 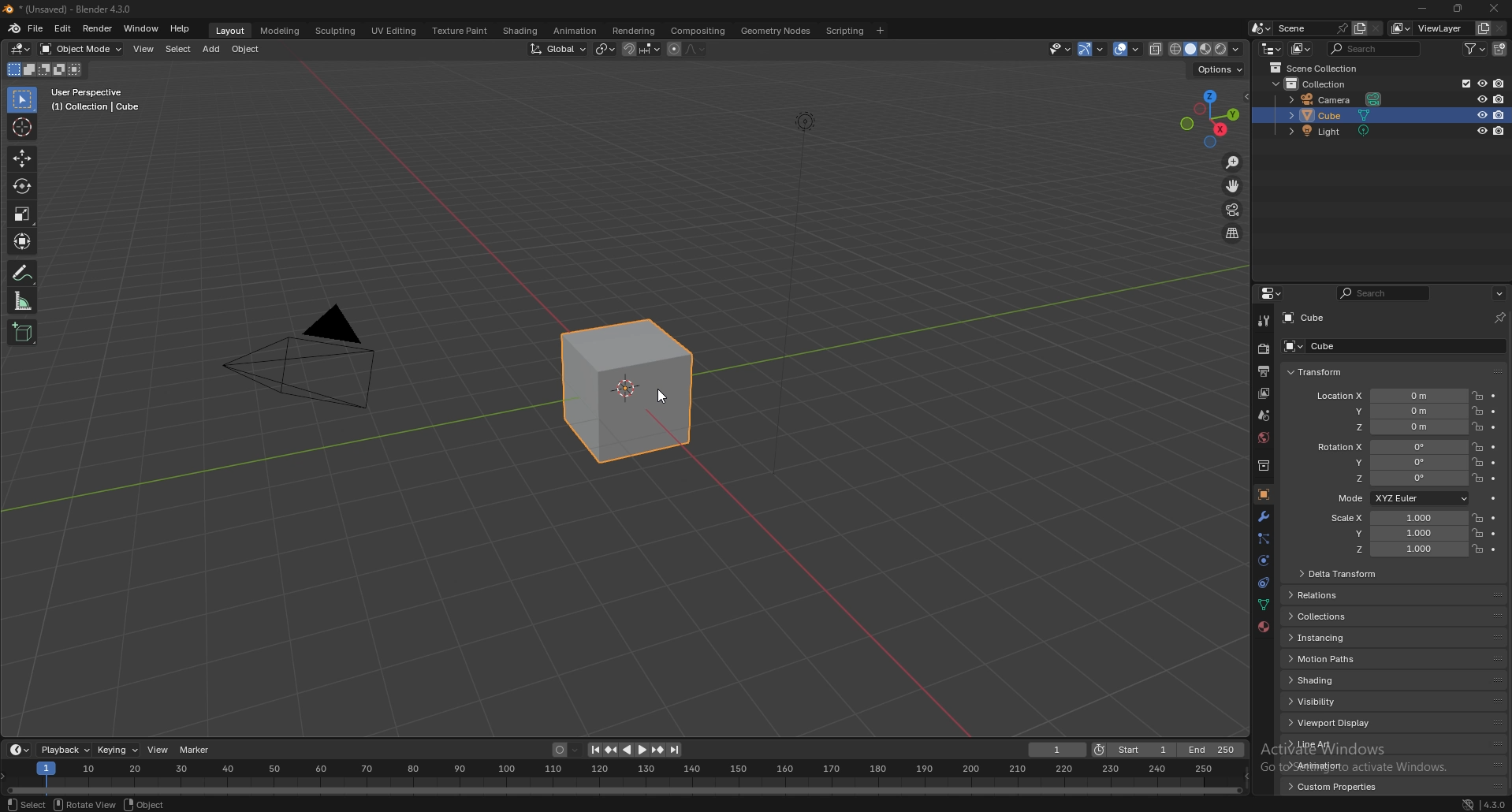 I want to click on render, so click(x=1264, y=348).